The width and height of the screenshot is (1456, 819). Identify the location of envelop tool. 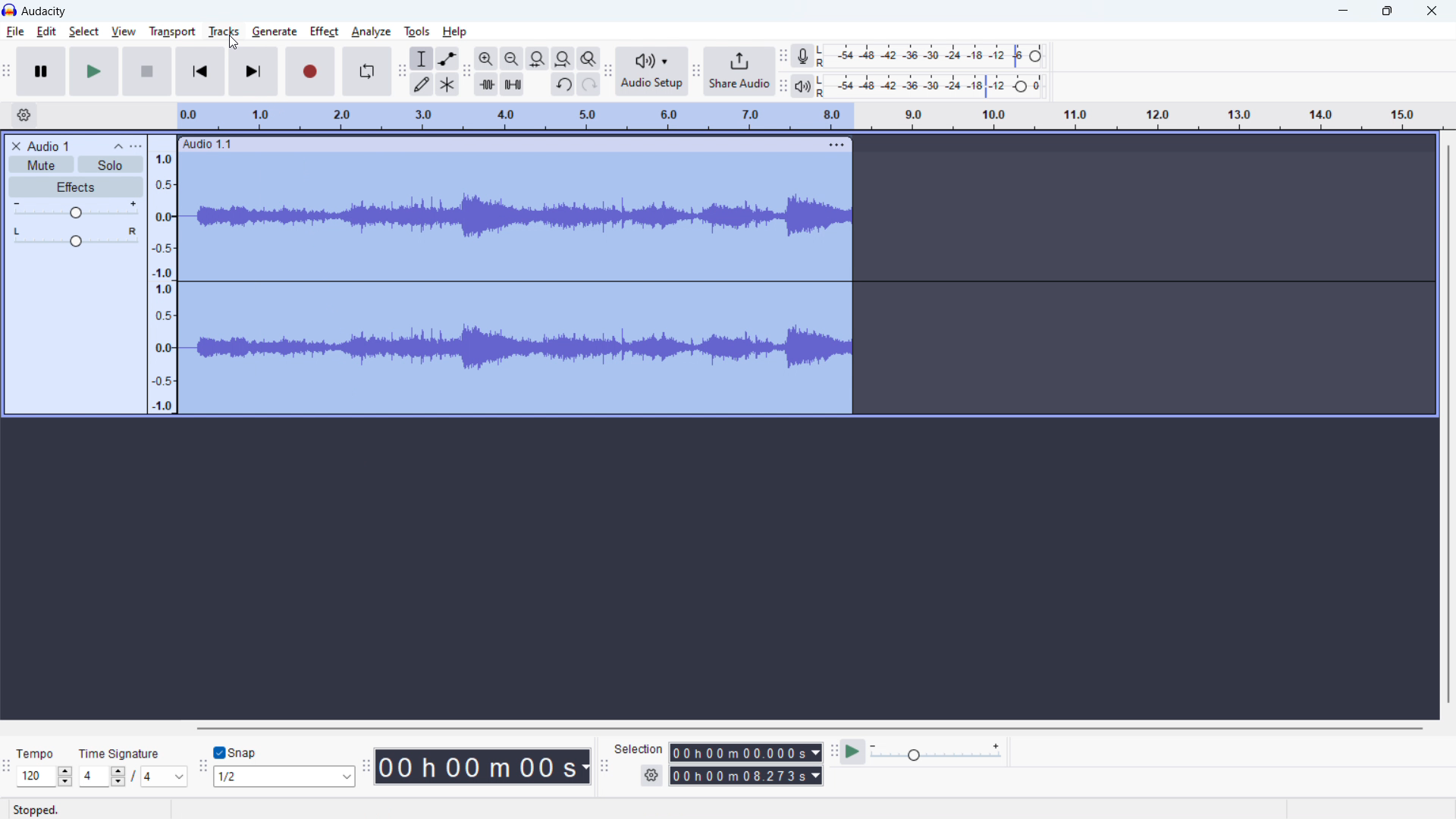
(447, 58).